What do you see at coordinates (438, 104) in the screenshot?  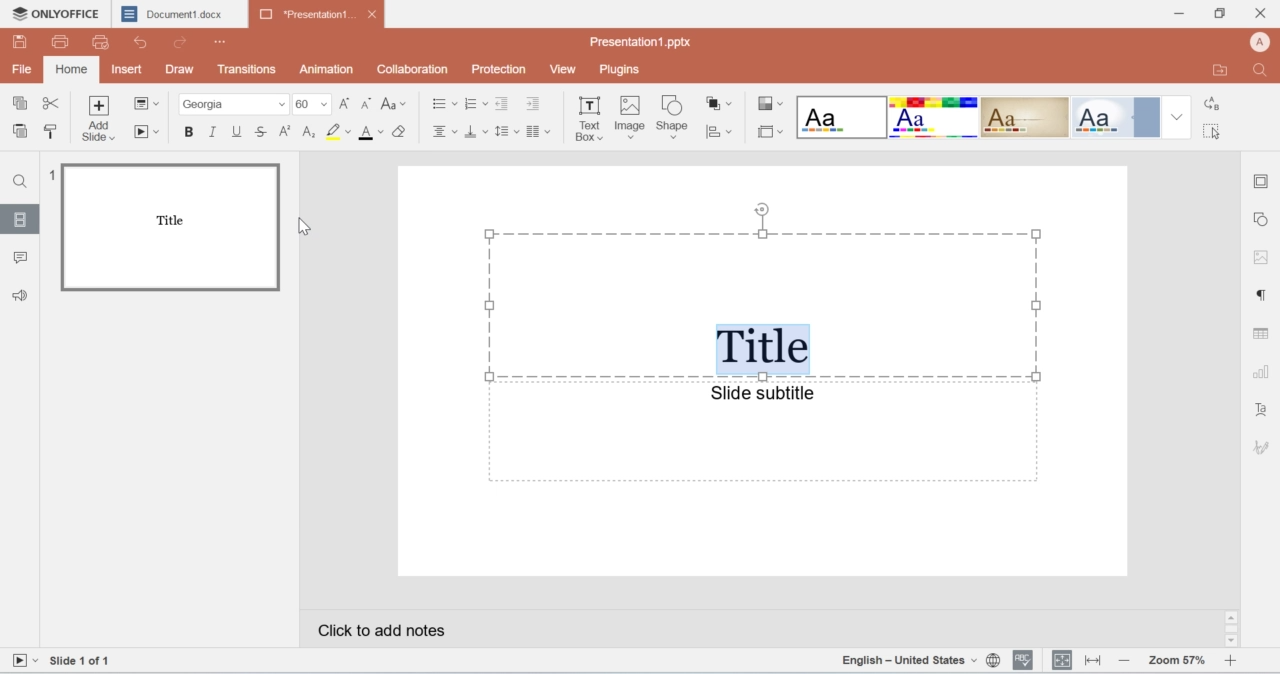 I see `bullet points` at bounding box center [438, 104].